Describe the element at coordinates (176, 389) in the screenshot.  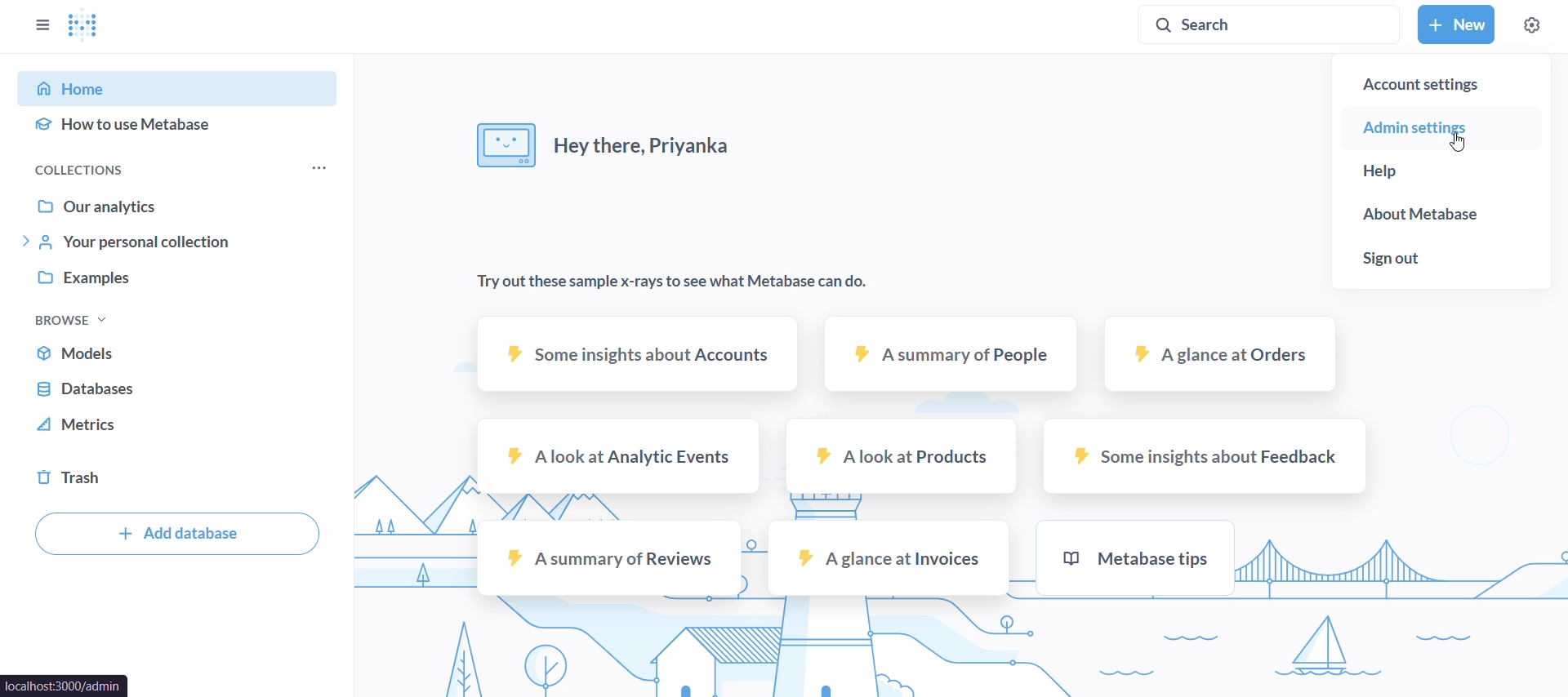
I see `databse` at that location.